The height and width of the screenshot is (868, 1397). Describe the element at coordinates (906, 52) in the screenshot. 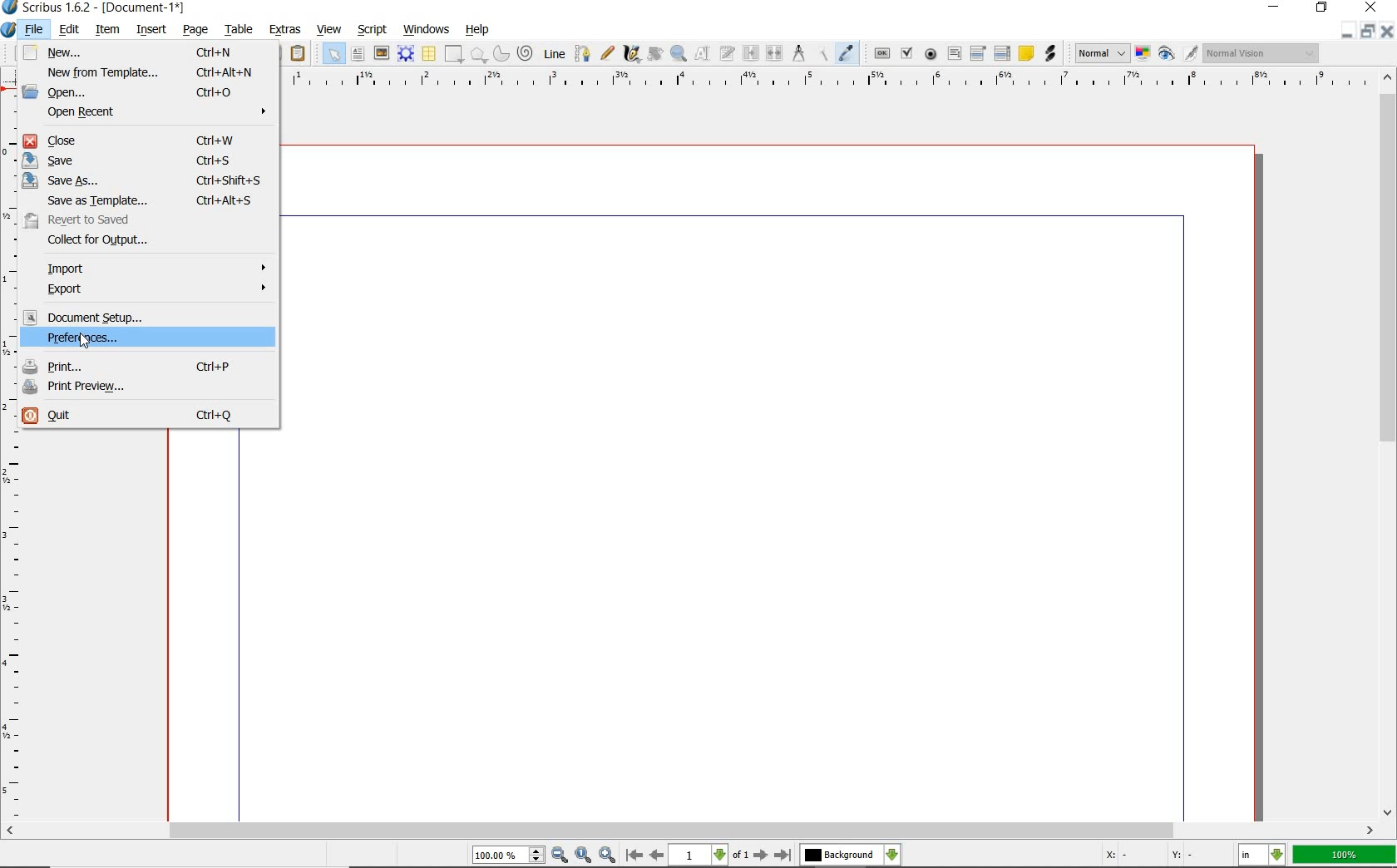

I see `pdf check box` at that location.